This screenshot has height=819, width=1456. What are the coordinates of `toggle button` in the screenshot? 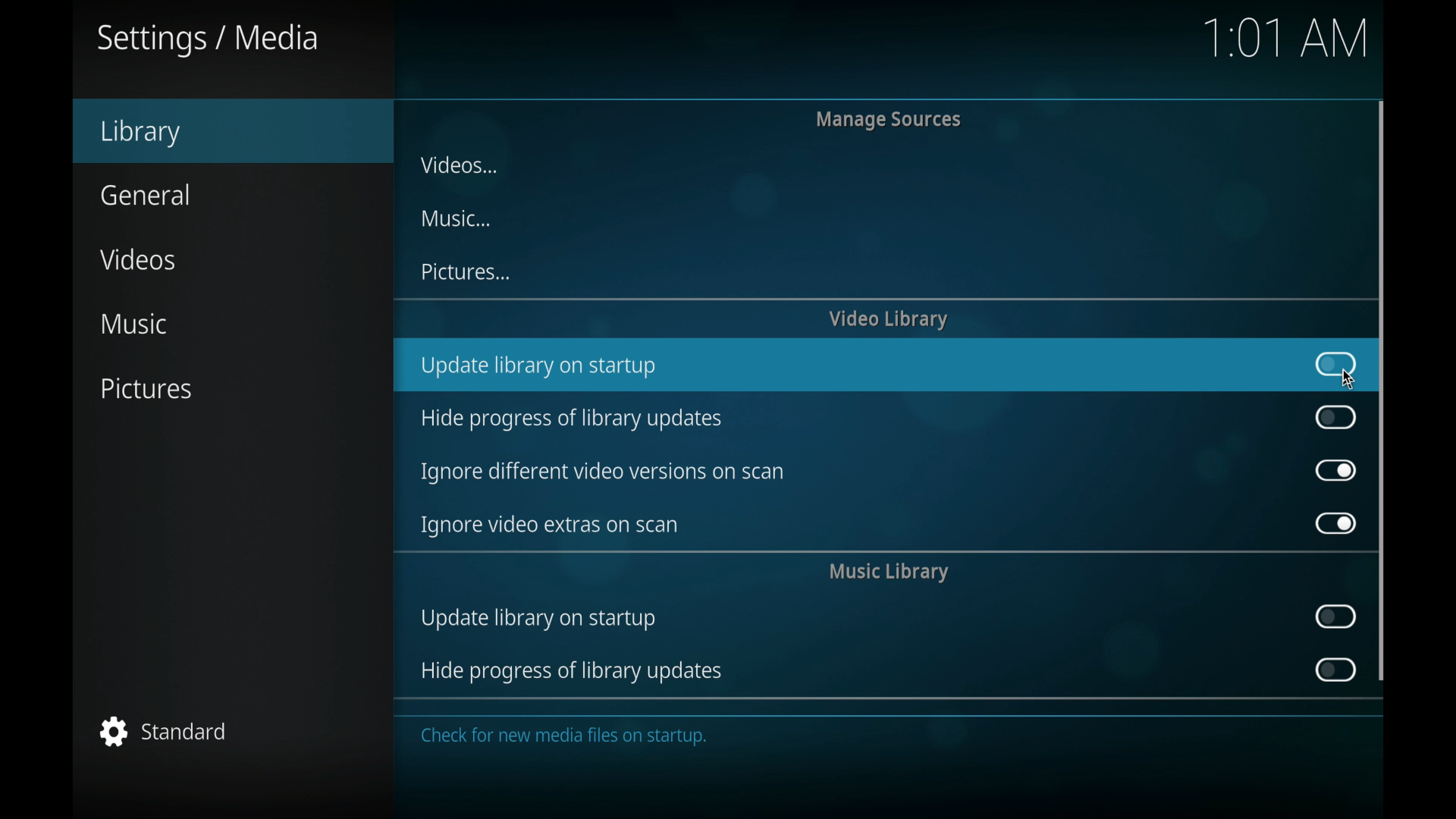 It's located at (1335, 364).